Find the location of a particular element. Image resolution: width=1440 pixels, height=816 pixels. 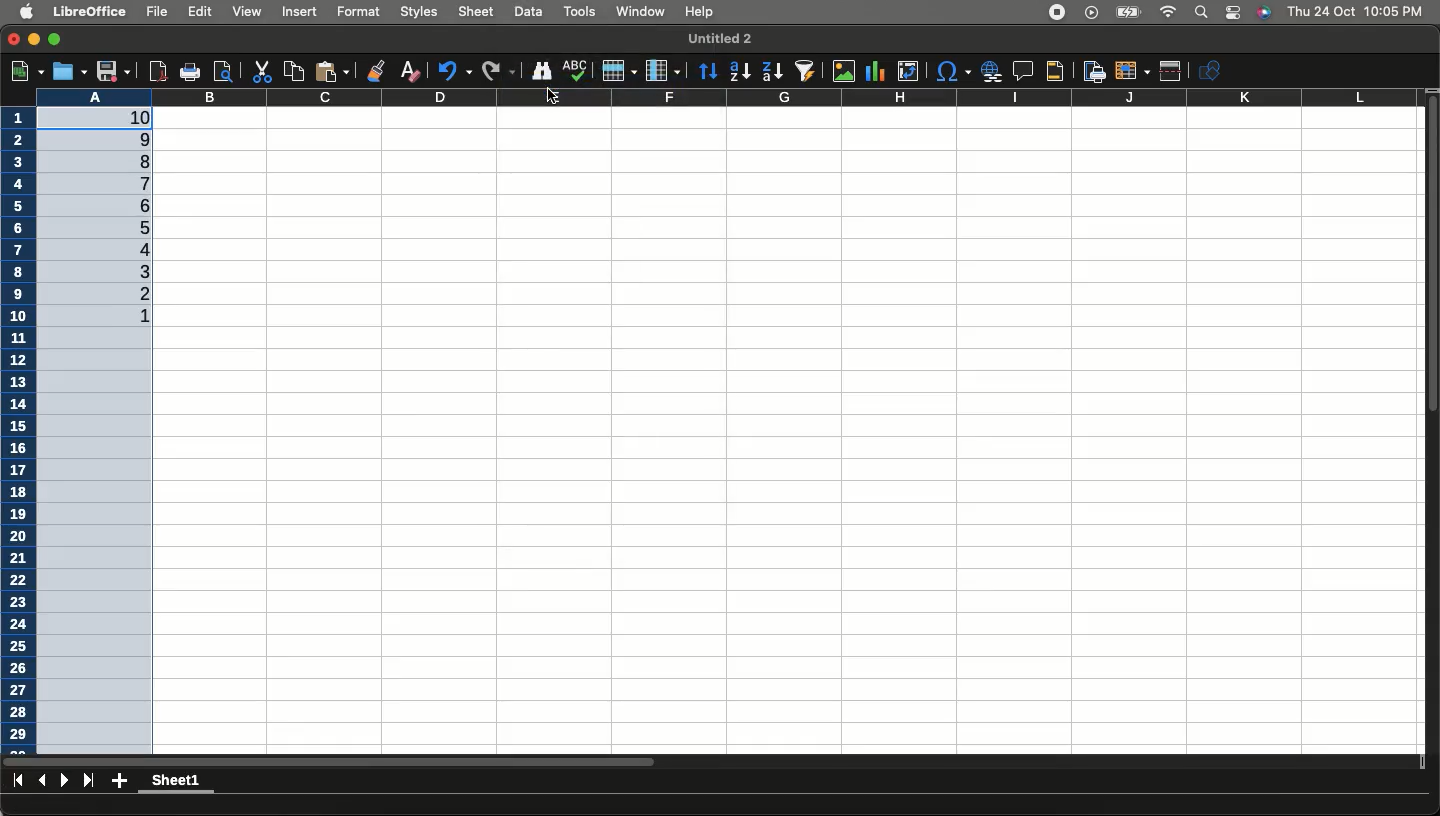

Help is located at coordinates (700, 13).